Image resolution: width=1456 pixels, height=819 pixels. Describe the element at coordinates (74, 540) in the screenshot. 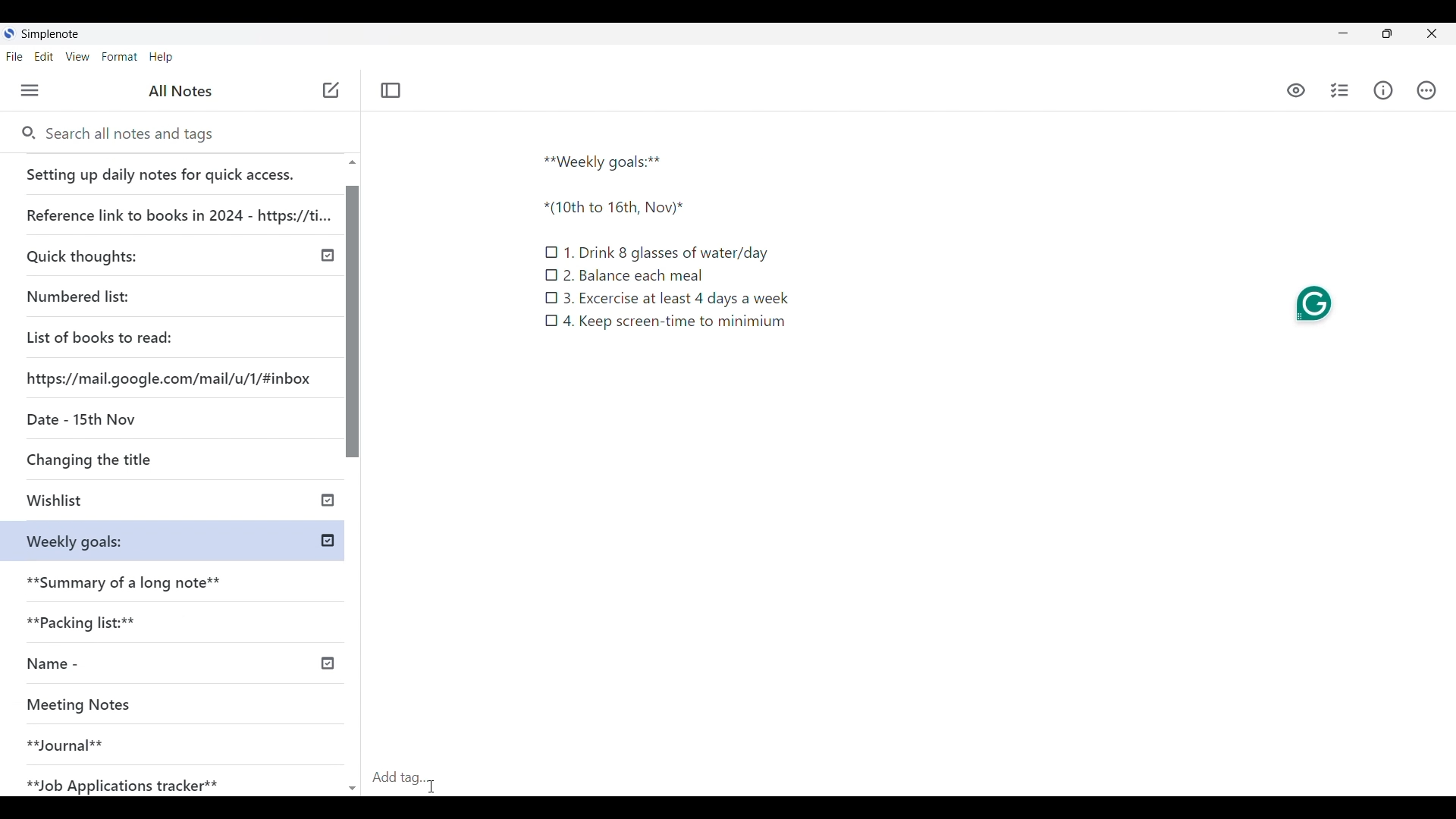

I see `Weekly goals` at that location.